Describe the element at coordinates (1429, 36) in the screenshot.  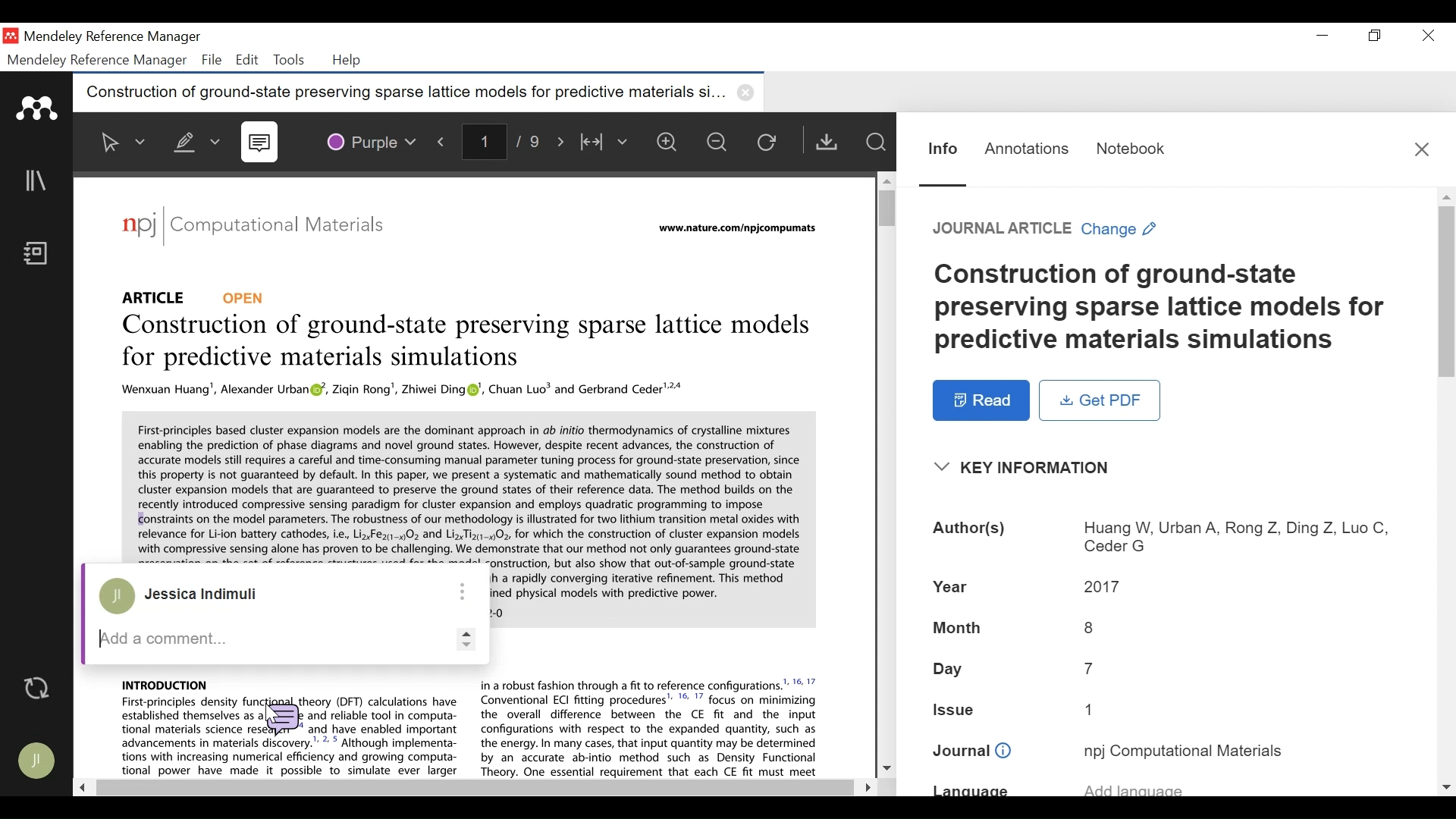
I see `Close` at that location.